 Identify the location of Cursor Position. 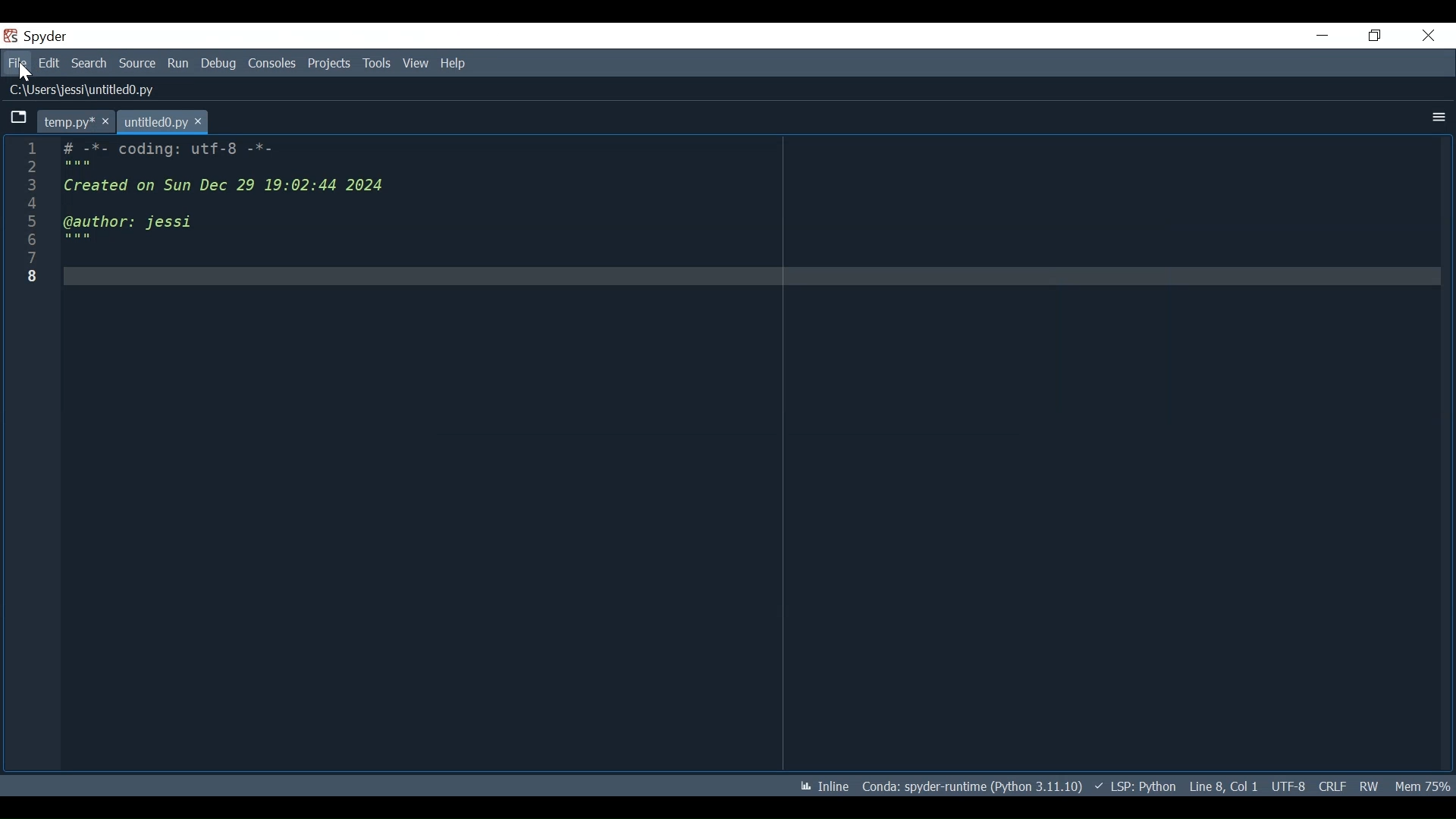
(1223, 786).